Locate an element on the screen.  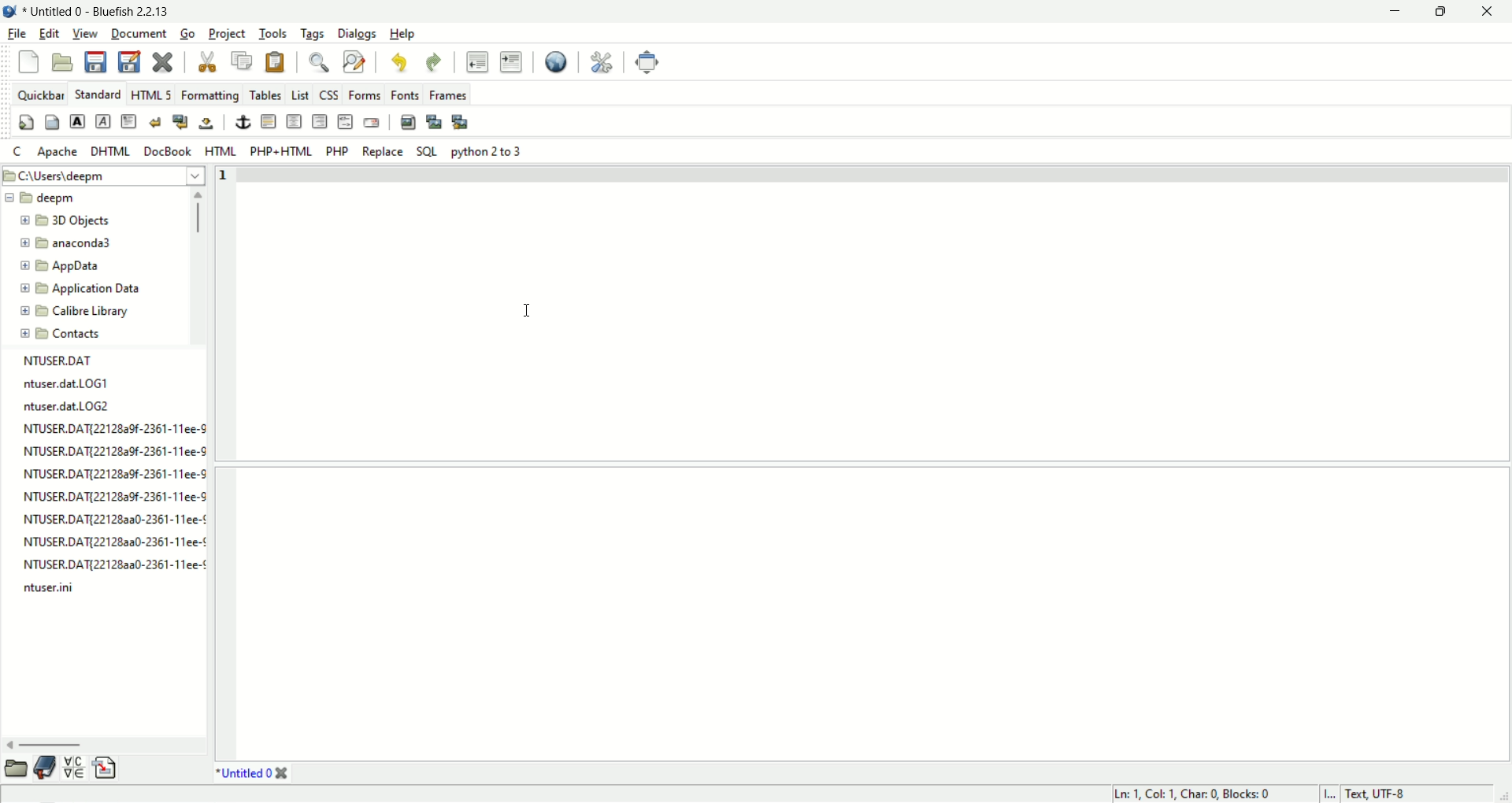
cut is located at coordinates (209, 61).